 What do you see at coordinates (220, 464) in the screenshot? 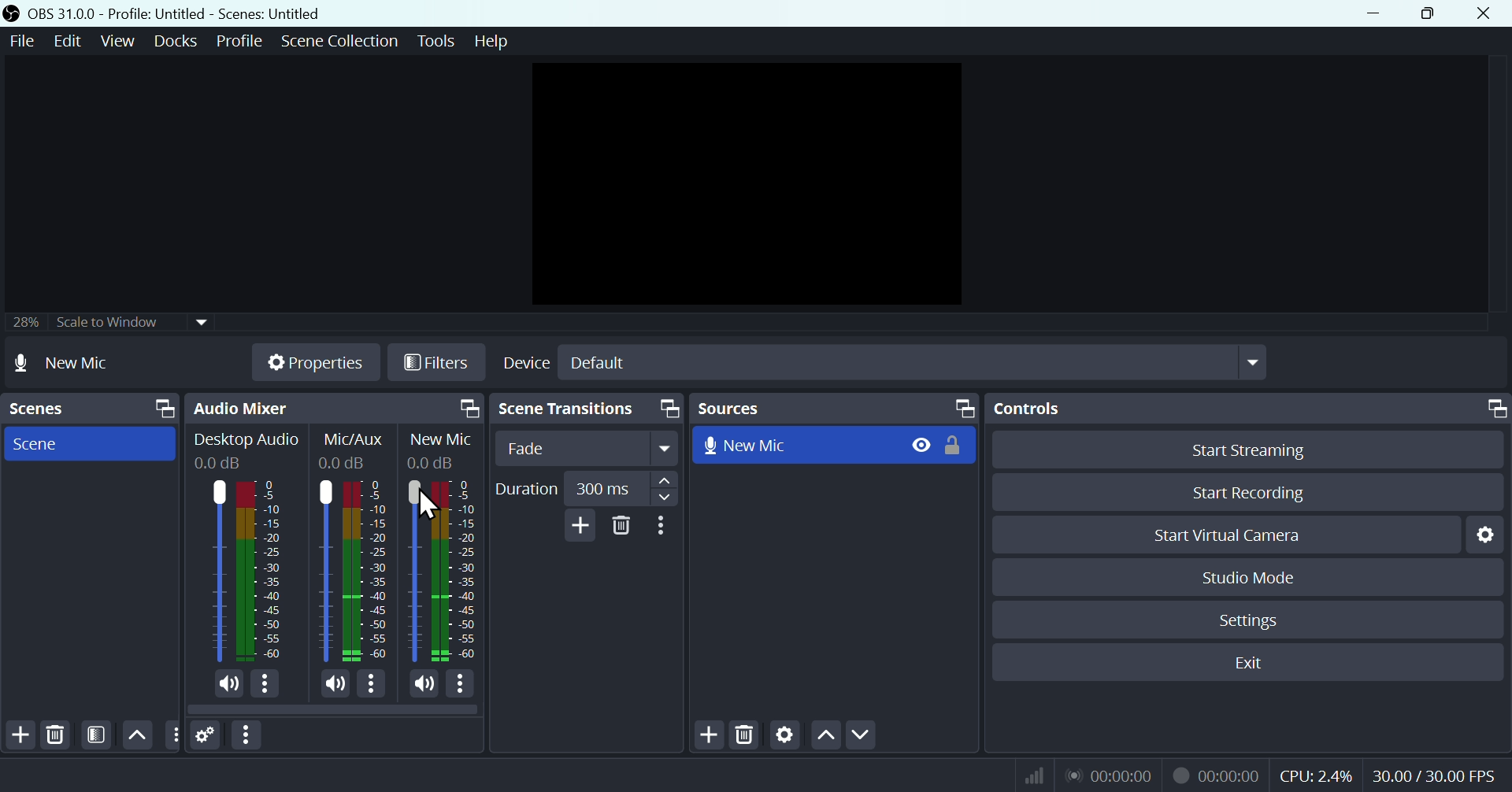
I see `0.0dB` at bounding box center [220, 464].